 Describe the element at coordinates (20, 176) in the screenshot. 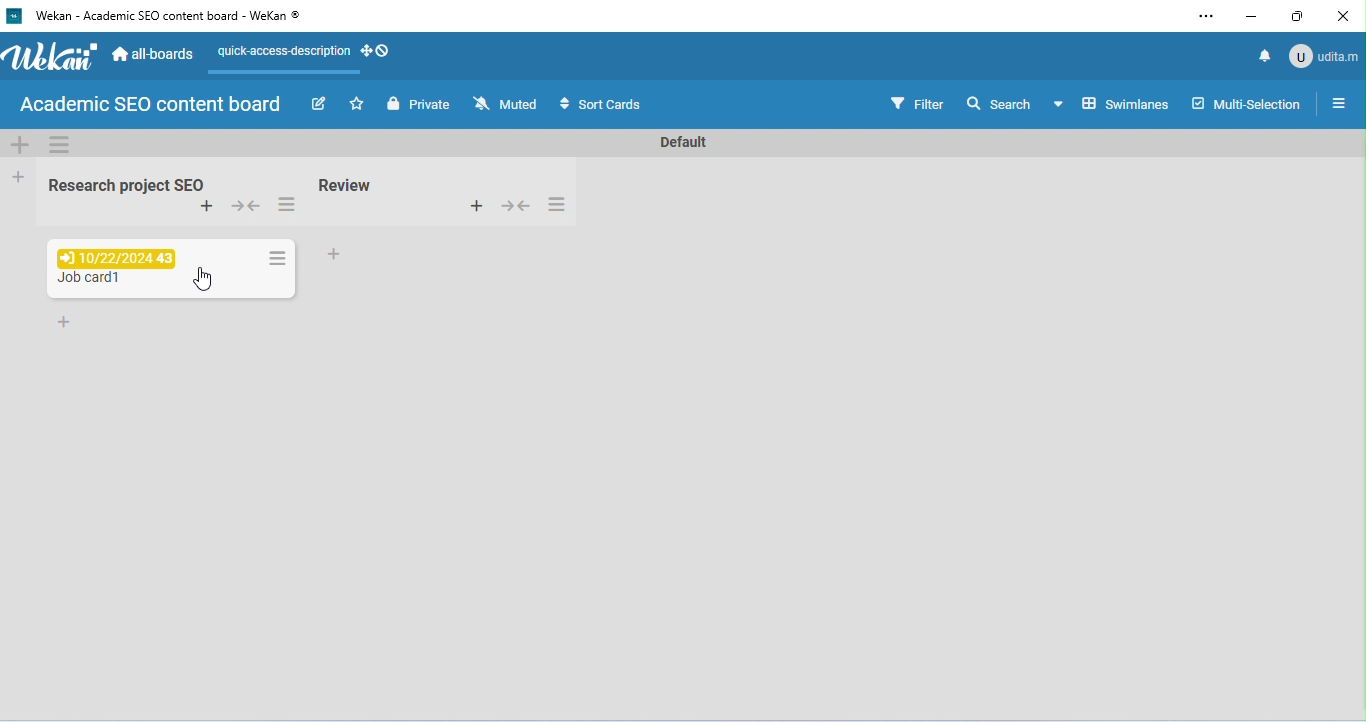

I see `add list` at that location.